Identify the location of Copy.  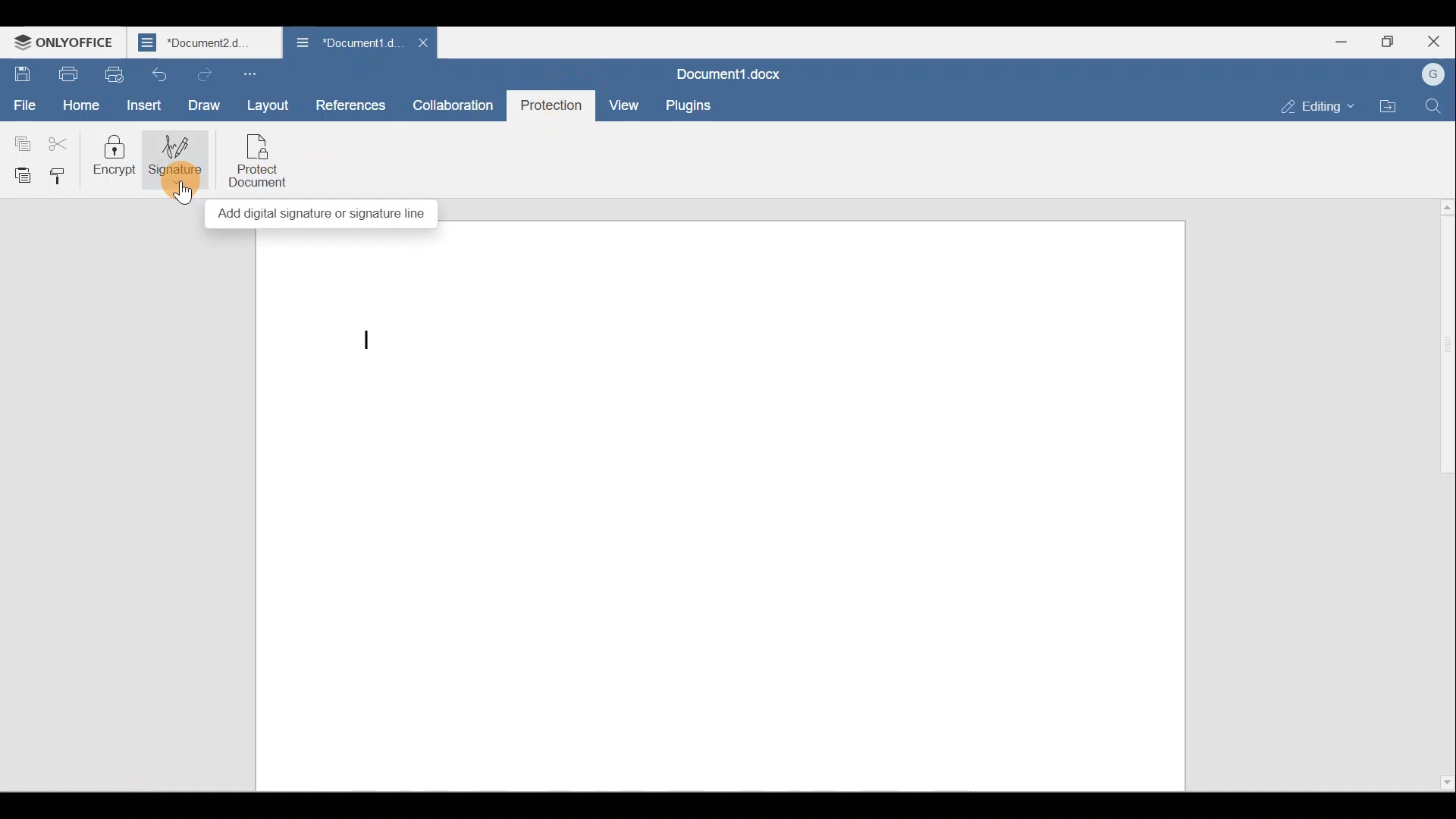
(19, 140).